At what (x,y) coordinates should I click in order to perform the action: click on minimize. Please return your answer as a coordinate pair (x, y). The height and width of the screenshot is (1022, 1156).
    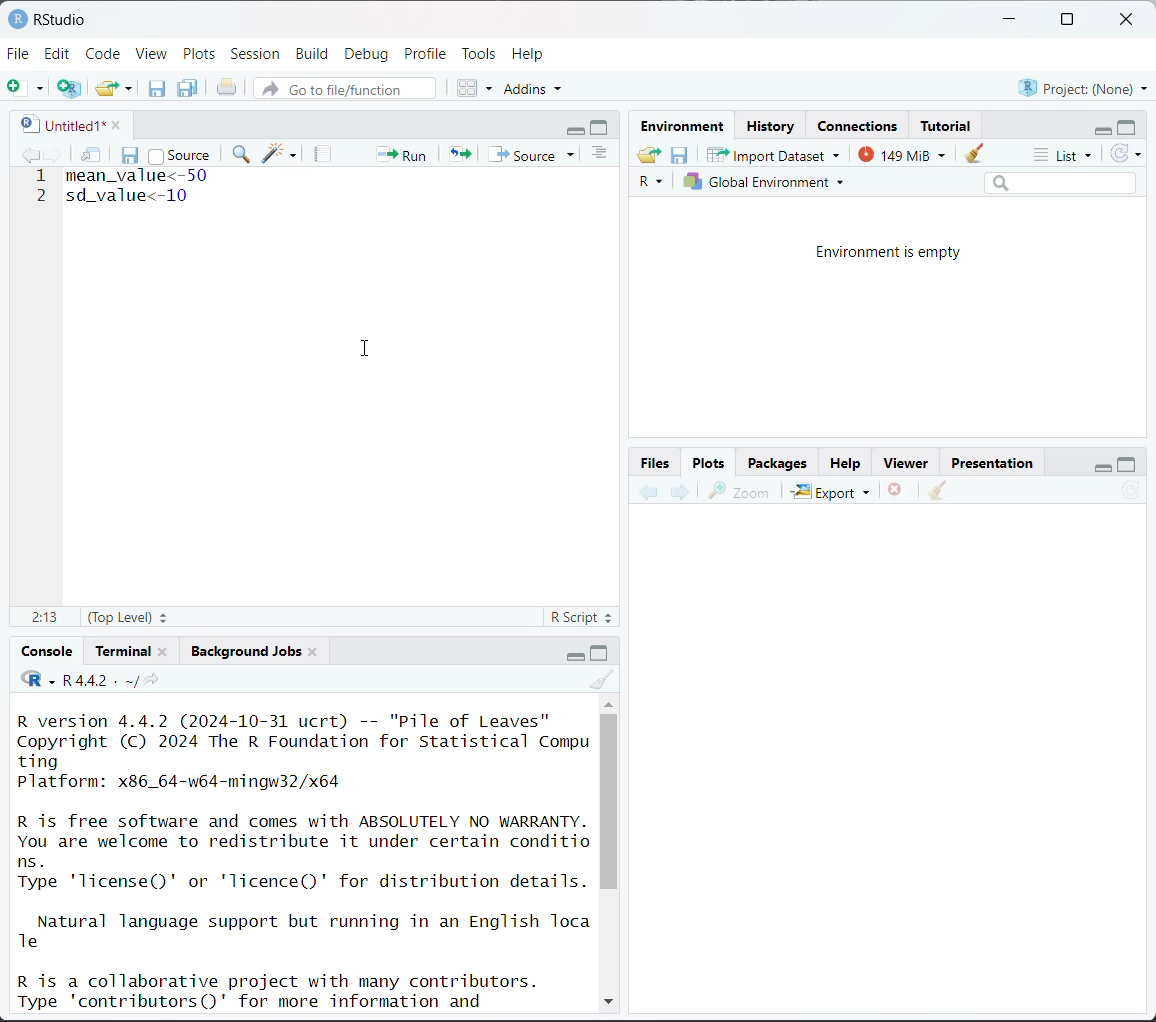
    Looking at the image, I should click on (571, 654).